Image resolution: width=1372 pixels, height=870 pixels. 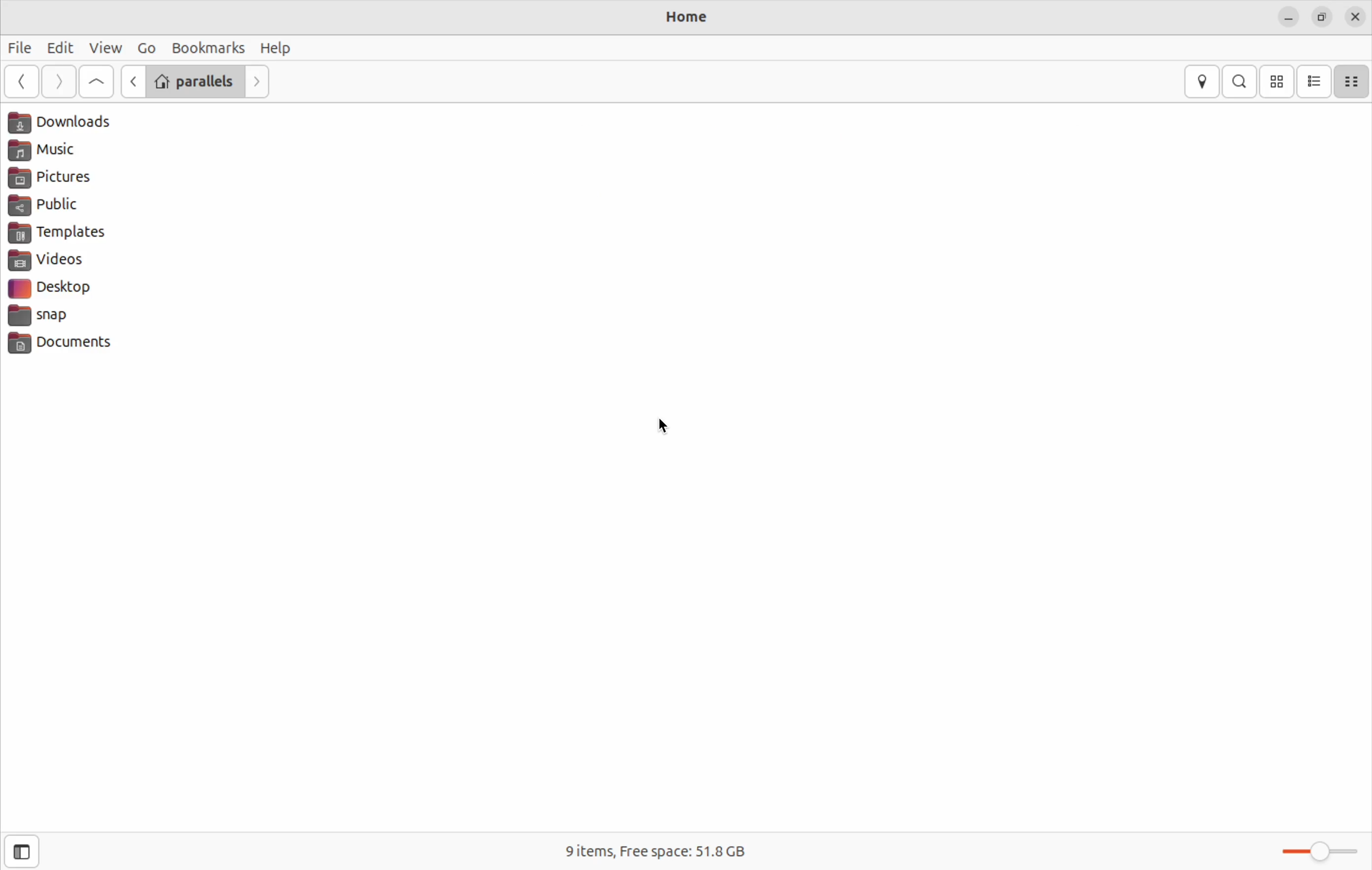 What do you see at coordinates (106, 47) in the screenshot?
I see `view` at bounding box center [106, 47].